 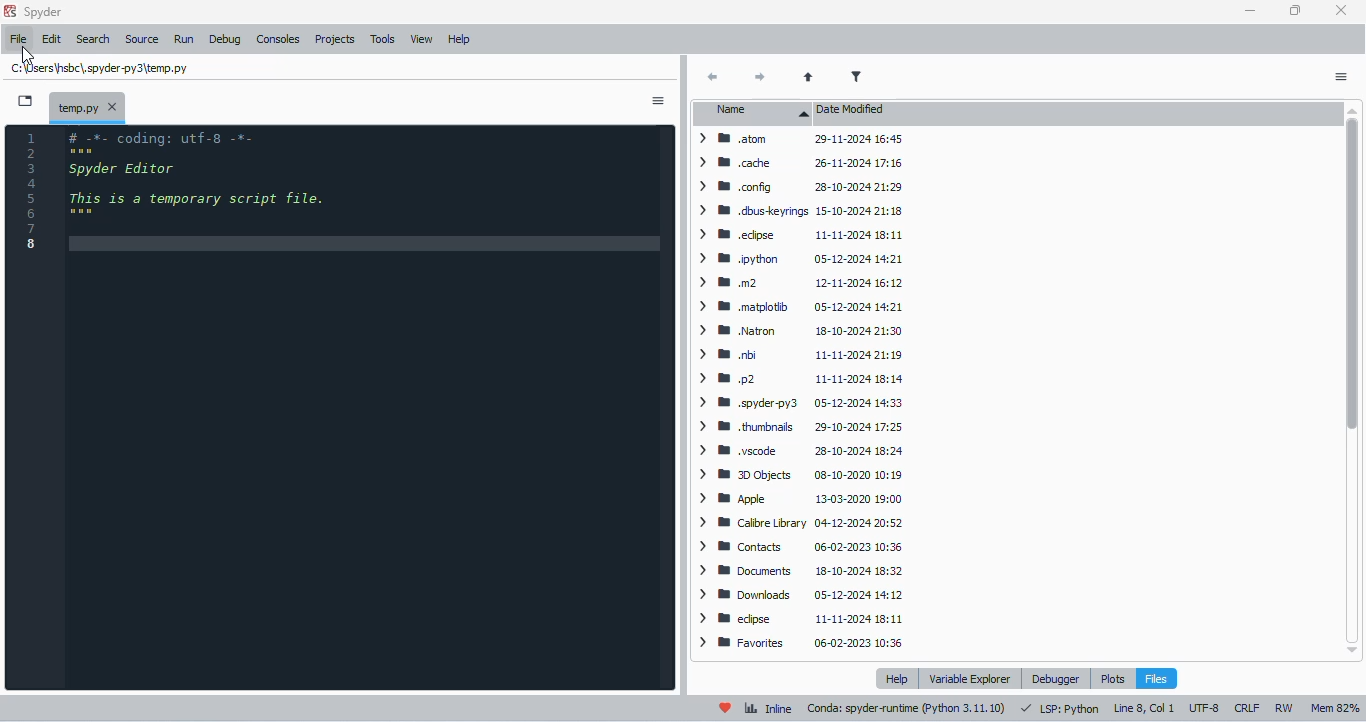 I want to click on > WB .spyderpy3 05-12-2024 14:33, so click(x=798, y=404).